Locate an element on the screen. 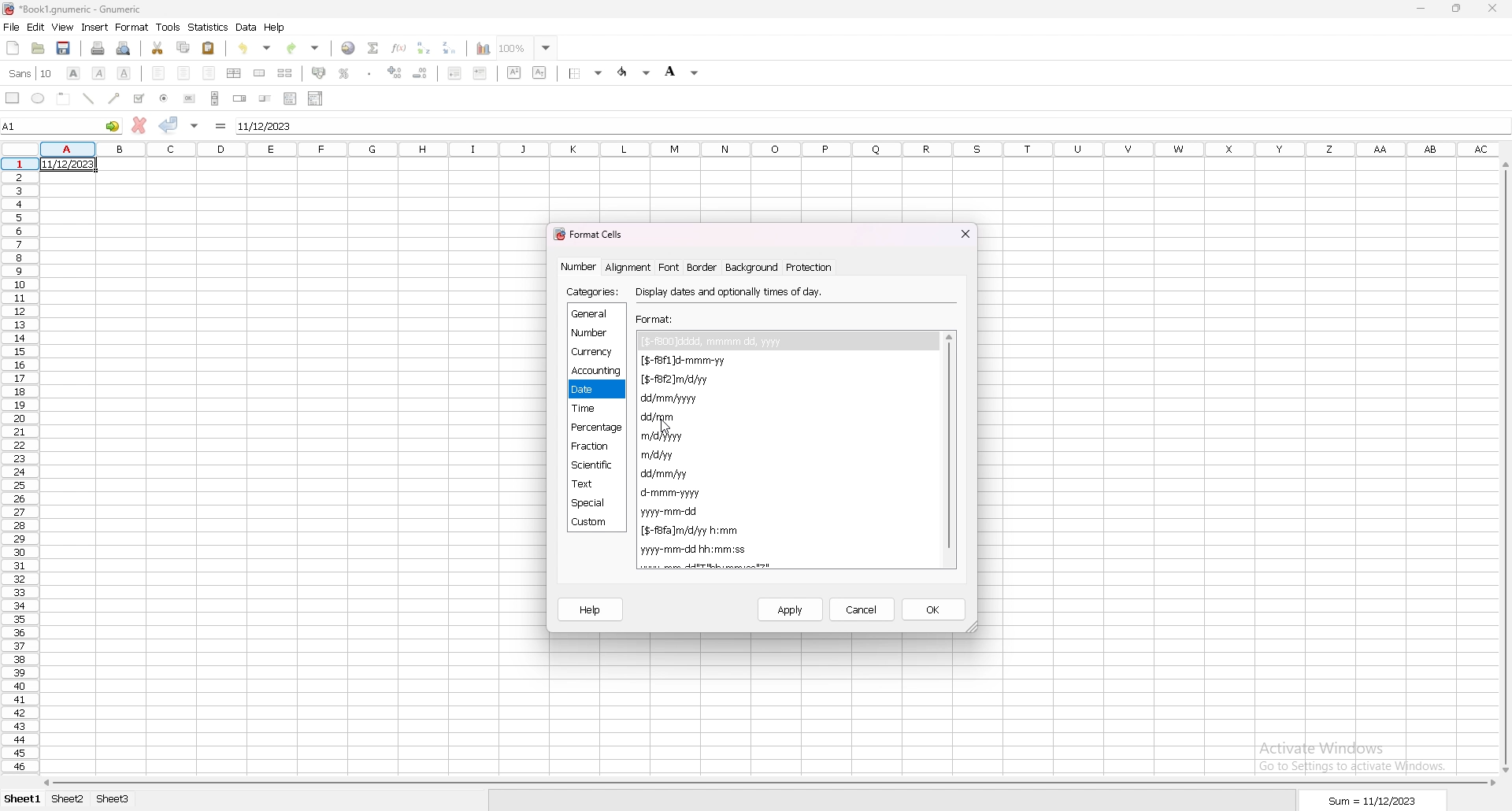 The image size is (1512, 811). [$-f8fa]m/d/yy h:mm is located at coordinates (690, 531).